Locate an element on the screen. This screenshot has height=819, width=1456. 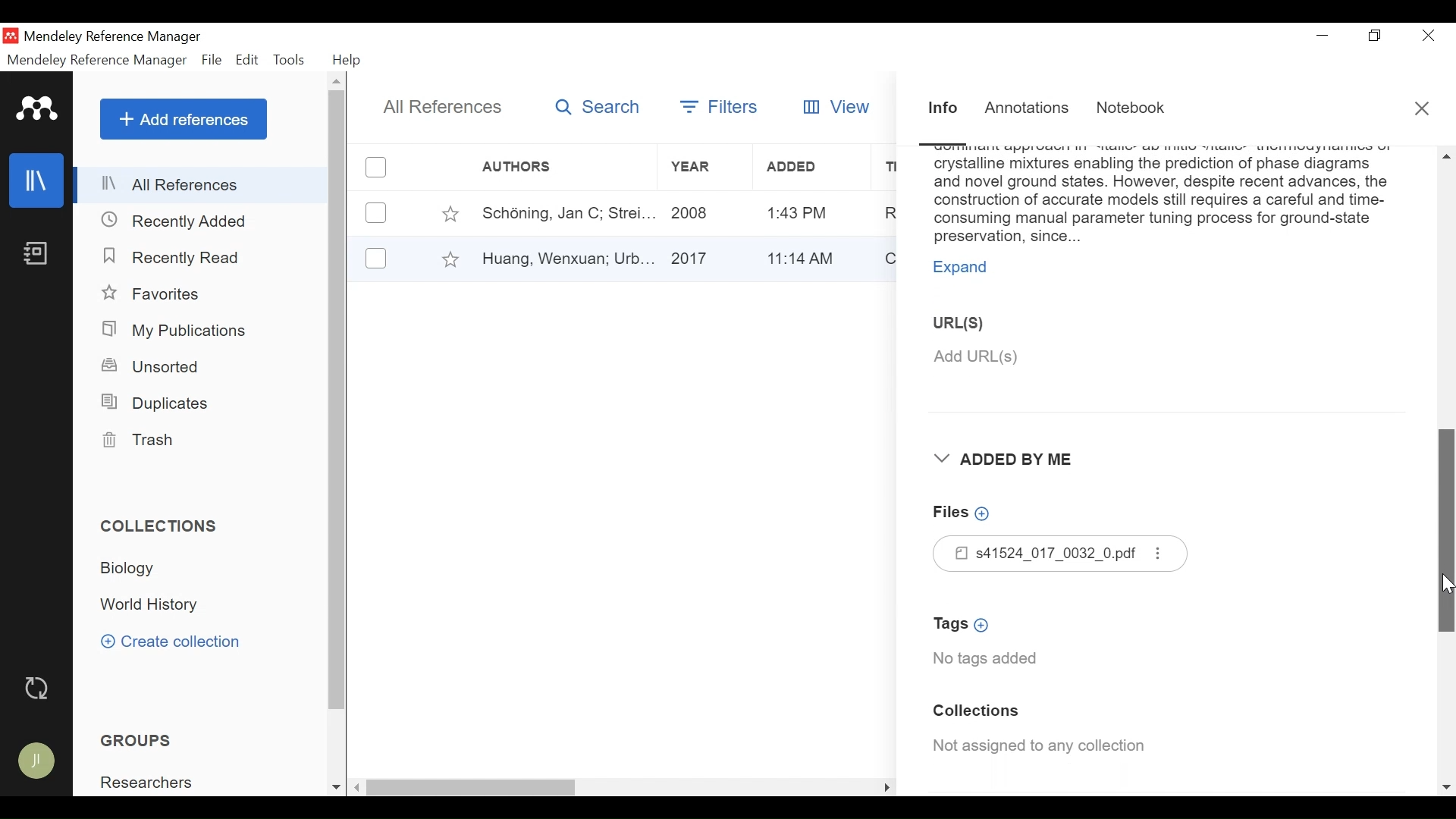
Scroll left is located at coordinates (358, 787).